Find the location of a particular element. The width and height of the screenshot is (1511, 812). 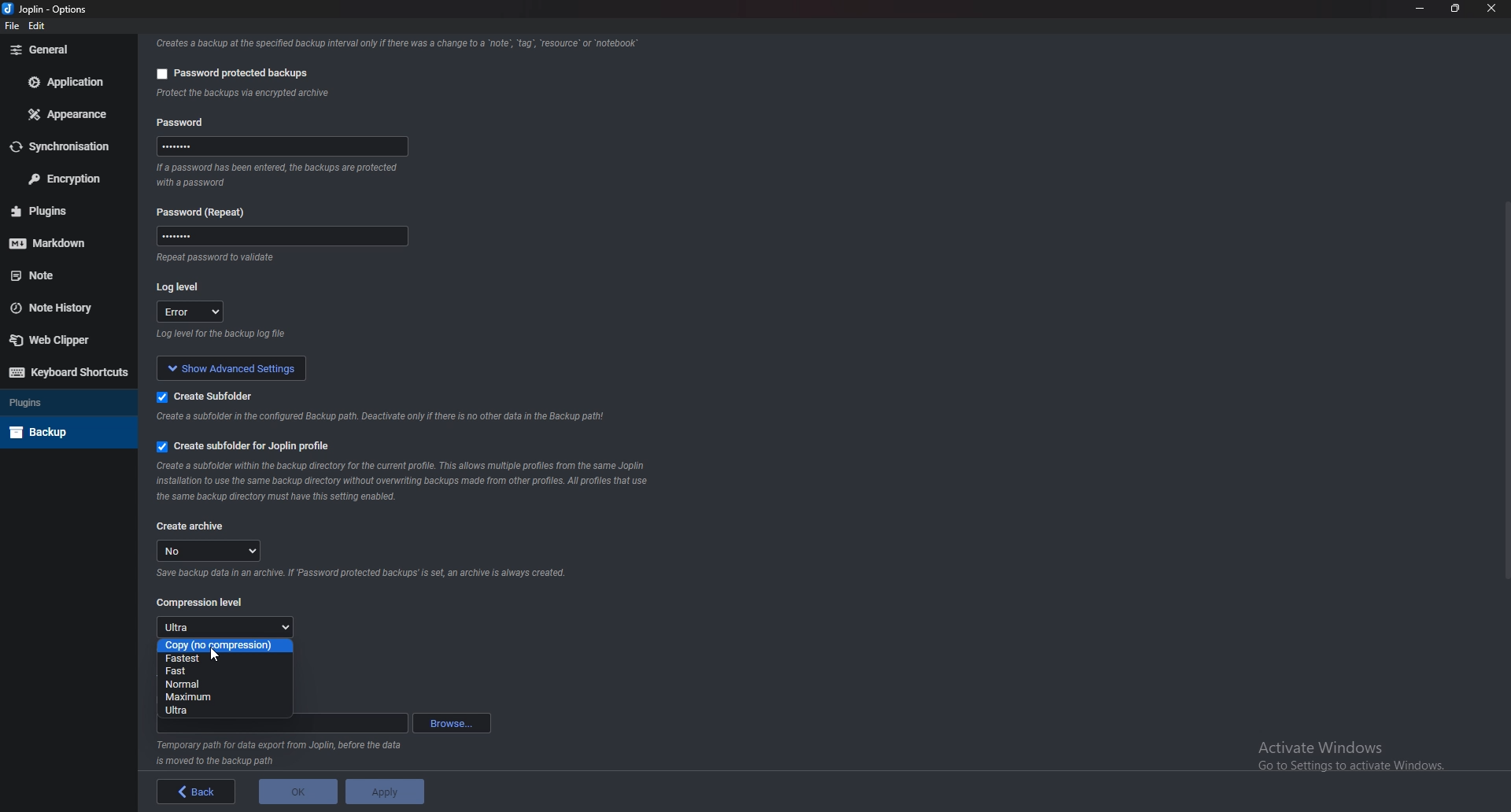

Web clipper is located at coordinates (59, 339).